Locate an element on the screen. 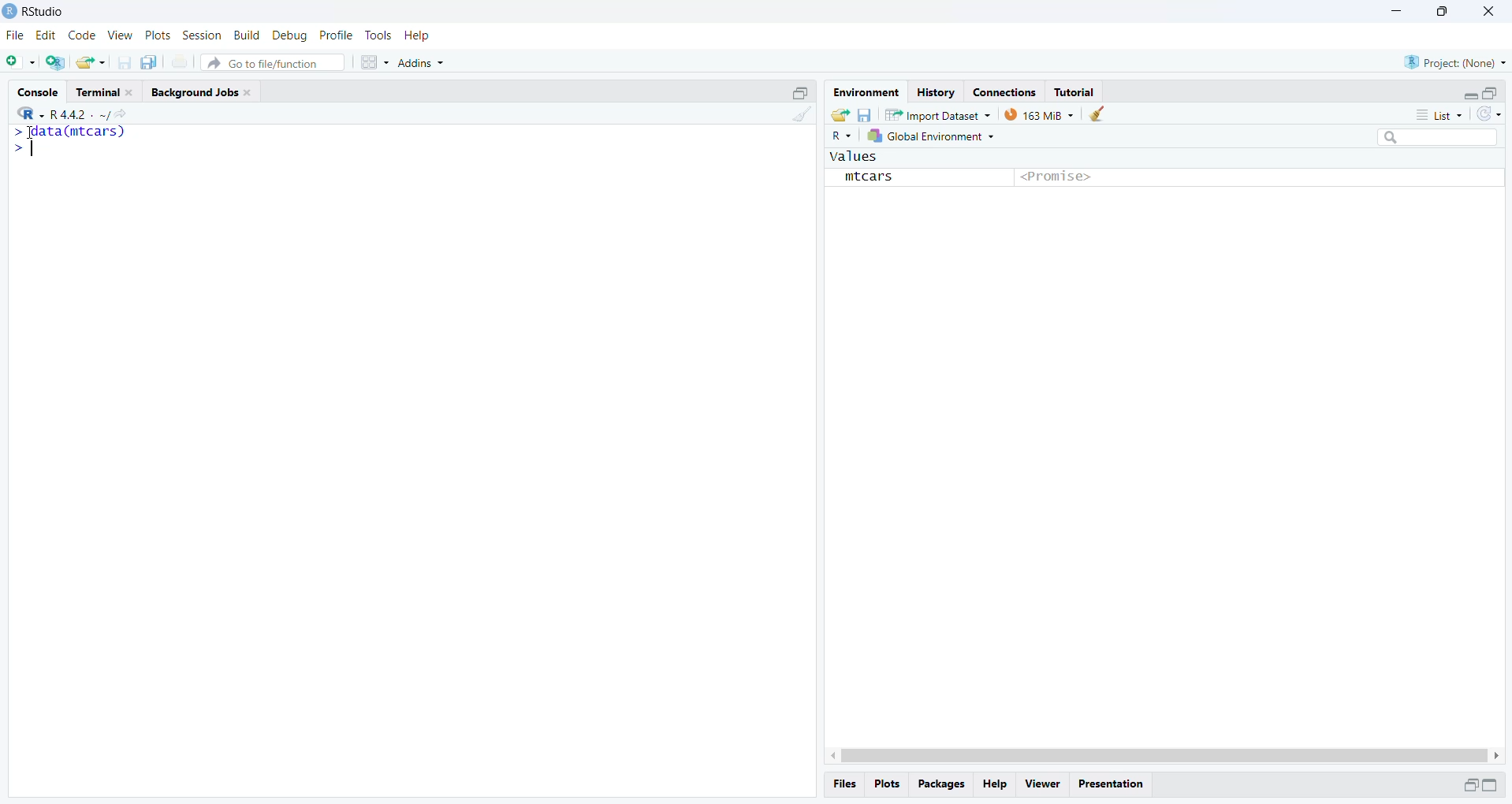 The height and width of the screenshot is (804, 1512). open in separate window is located at coordinates (802, 93).